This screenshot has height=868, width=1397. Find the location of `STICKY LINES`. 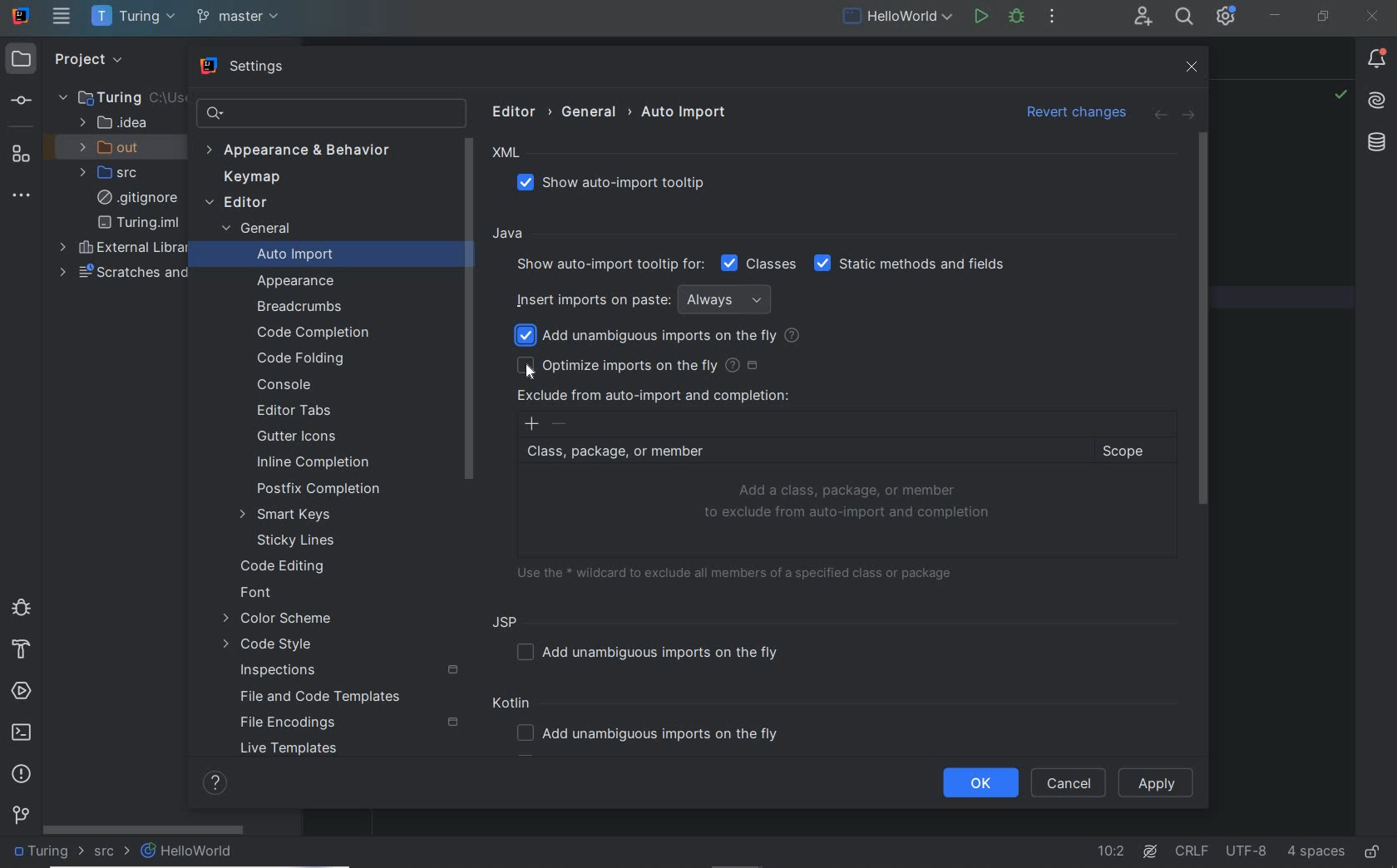

STICKY LINES is located at coordinates (298, 540).